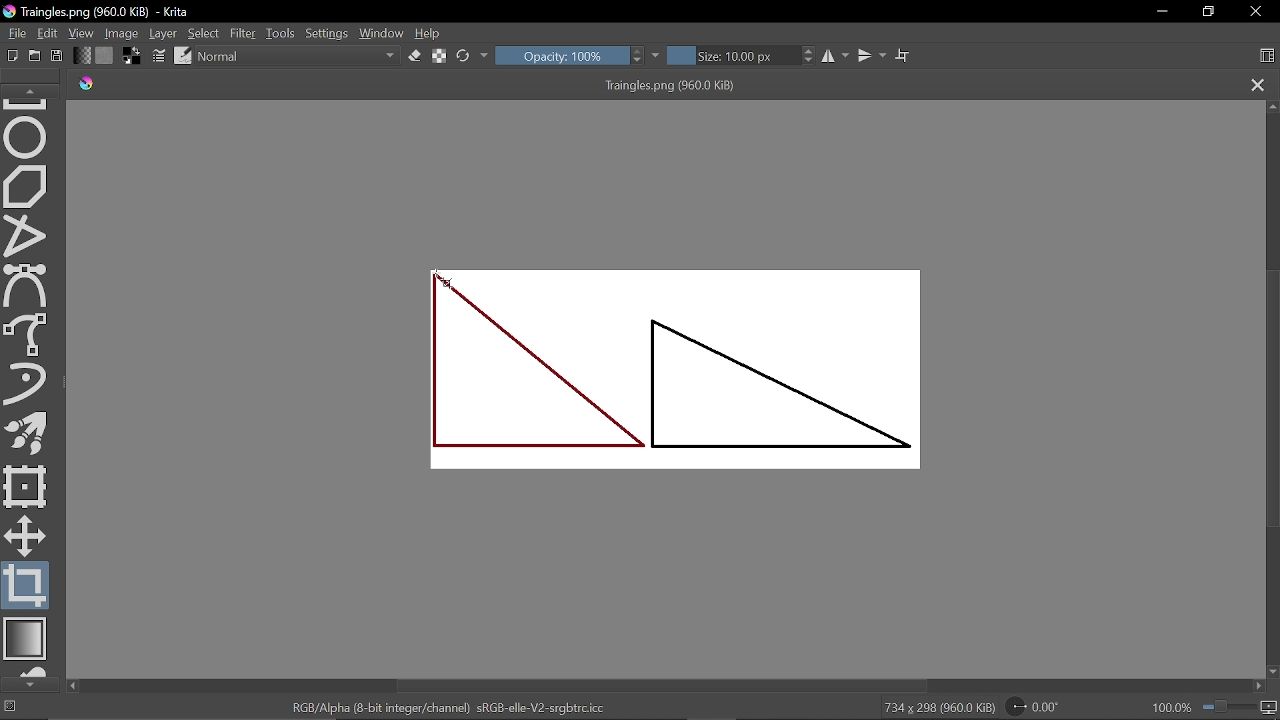 The width and height of the screenshot is (1280, 720). I want to click on Preserve alpha, so click(439, 57).